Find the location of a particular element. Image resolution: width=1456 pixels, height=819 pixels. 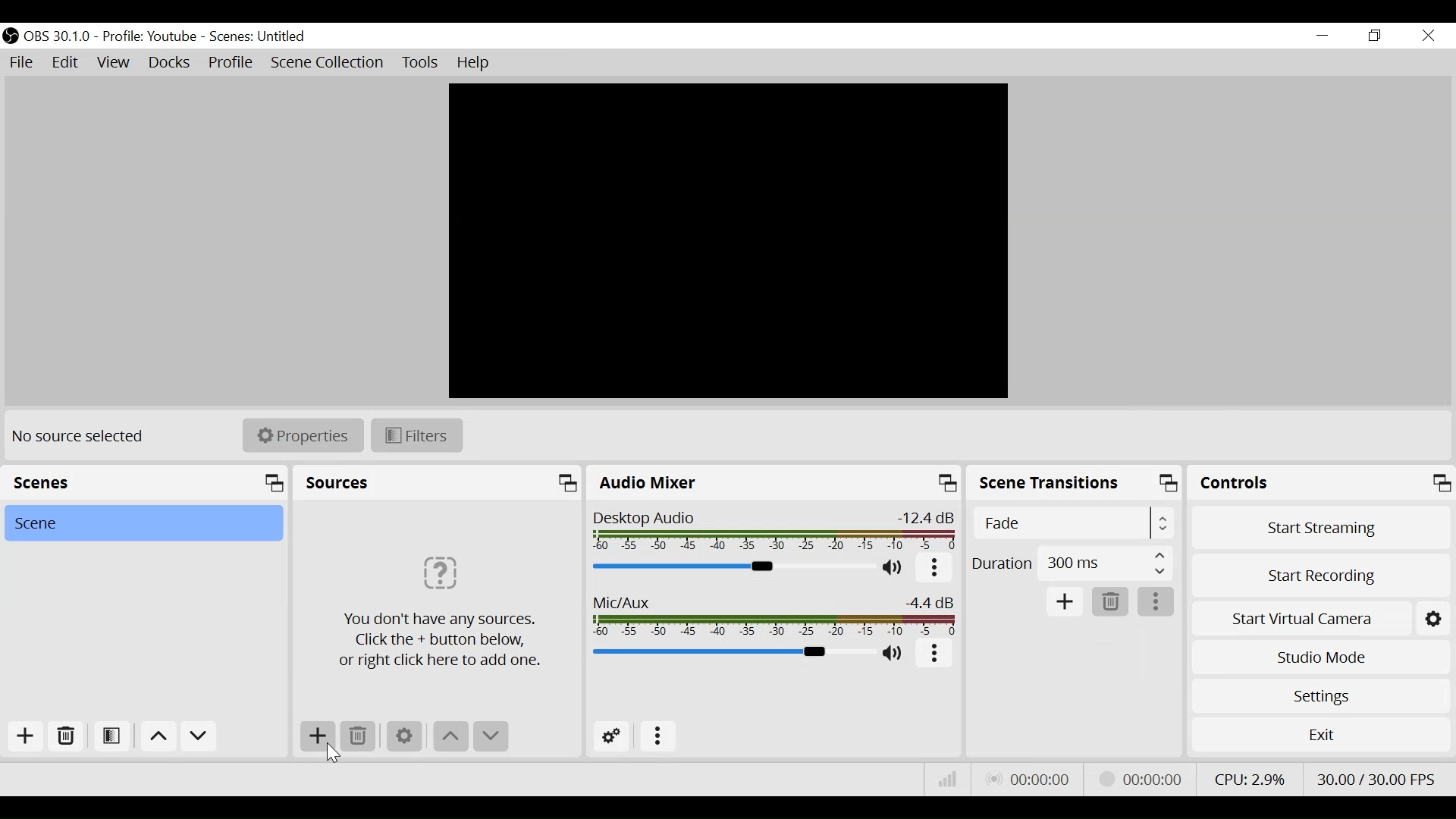

more options is located at coordinates (935, 656).